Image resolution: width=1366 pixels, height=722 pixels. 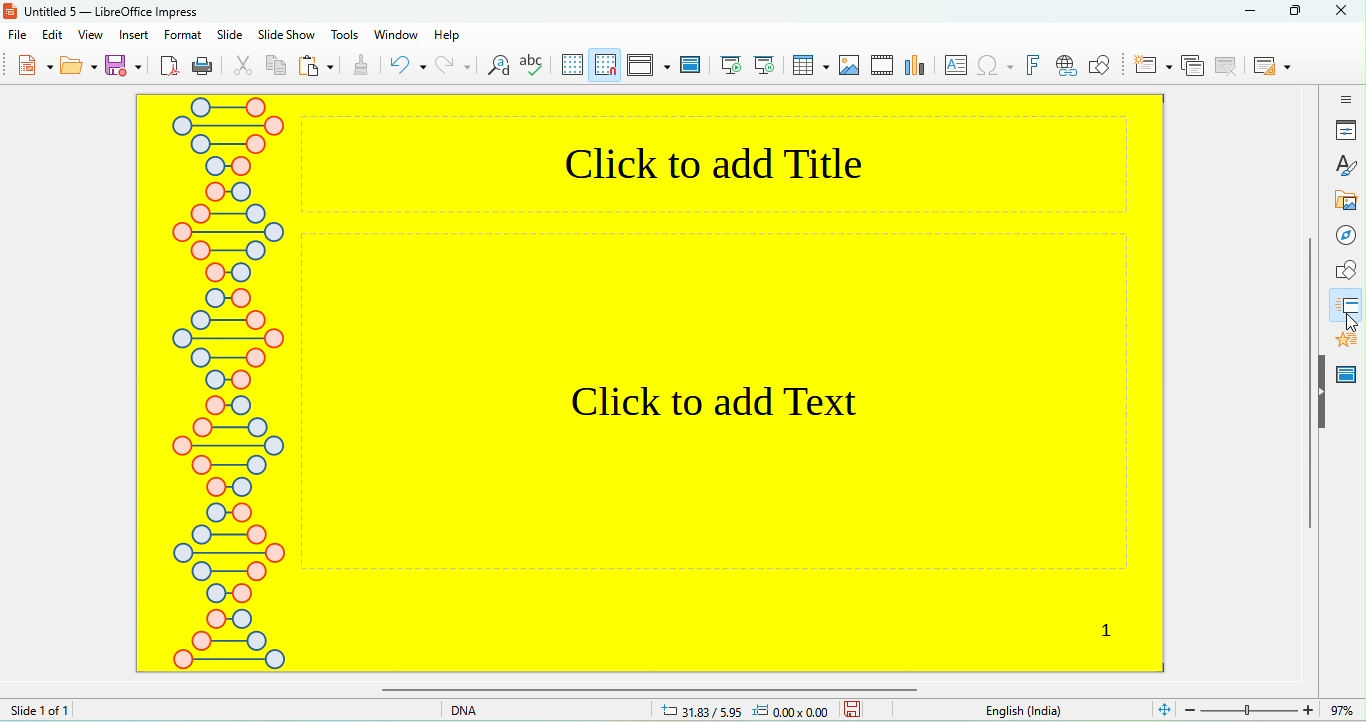 I want to click on zoom, so click(x=1256, y=709).